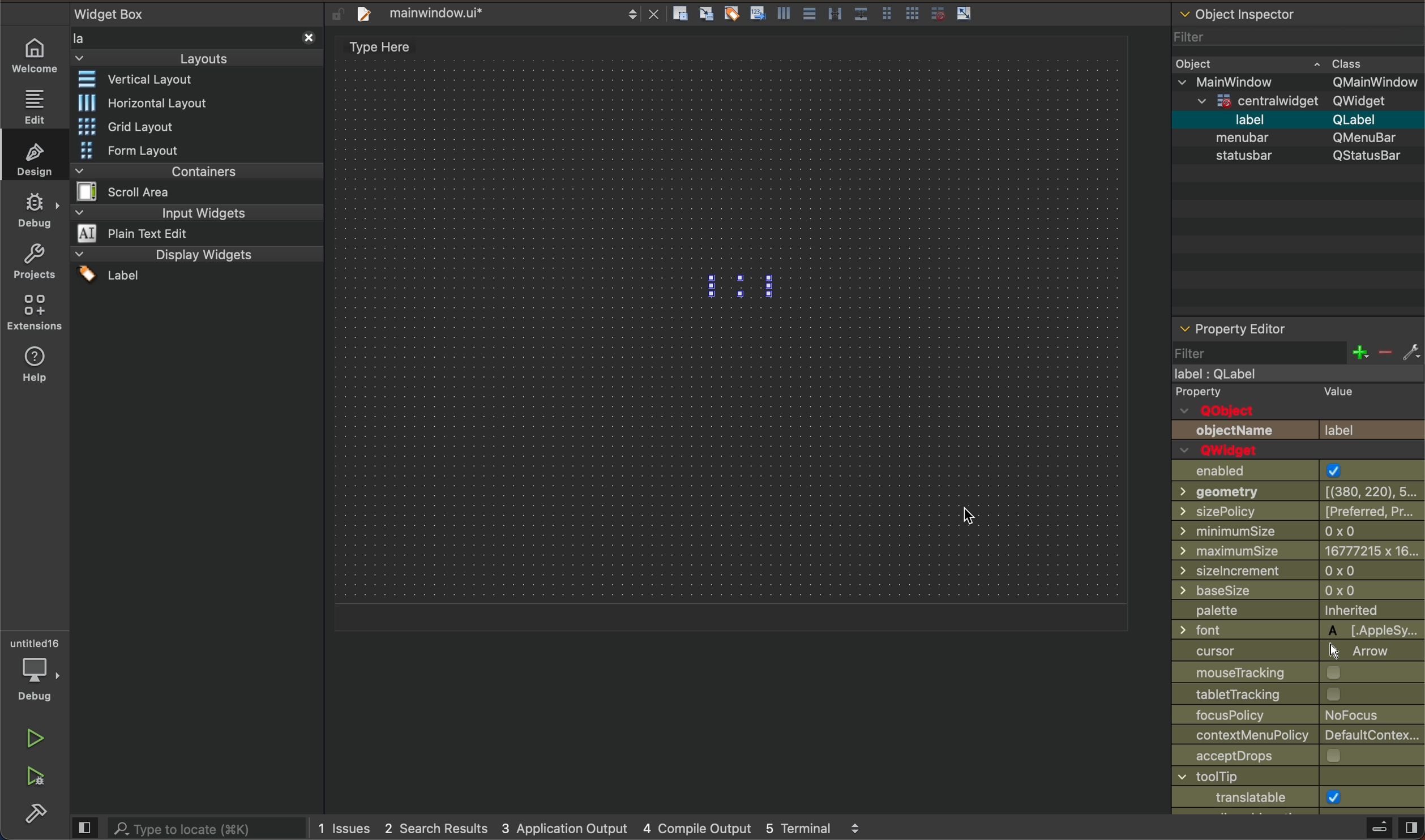  What do you see at coordinates (194, 264) in the screenshot?
I see `display widget` at bounding box center [194, 264].